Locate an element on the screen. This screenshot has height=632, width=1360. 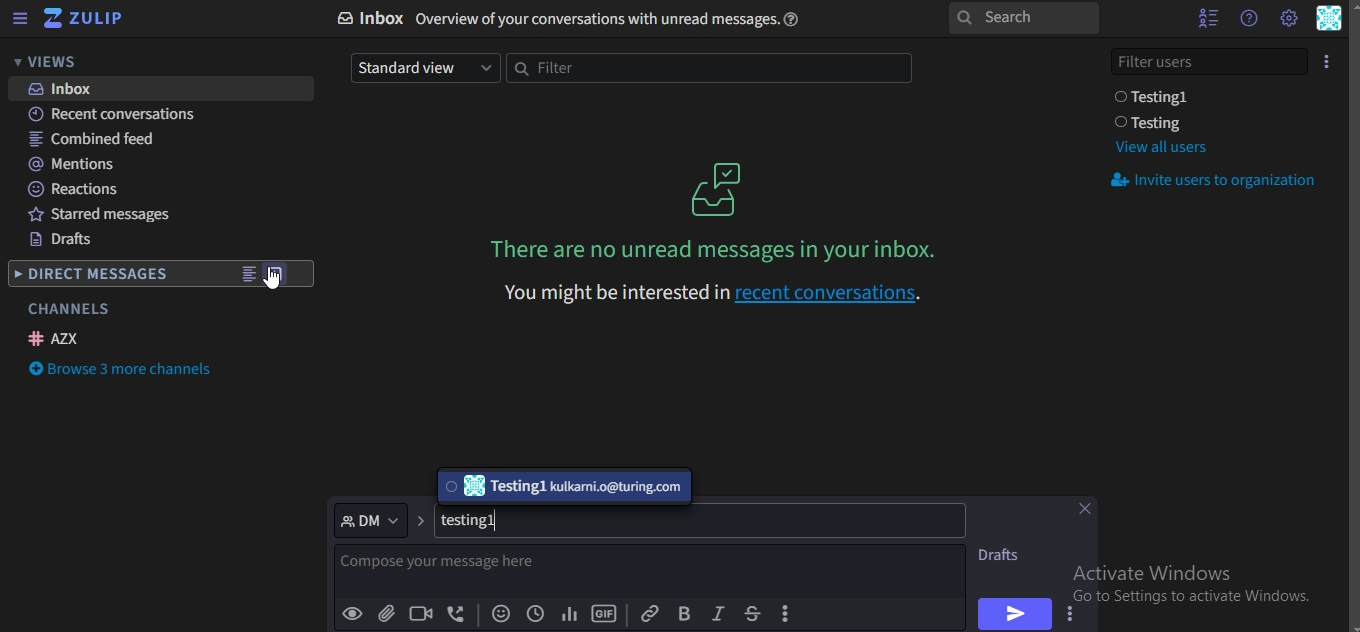
close is located at coordinates (1089, 511).